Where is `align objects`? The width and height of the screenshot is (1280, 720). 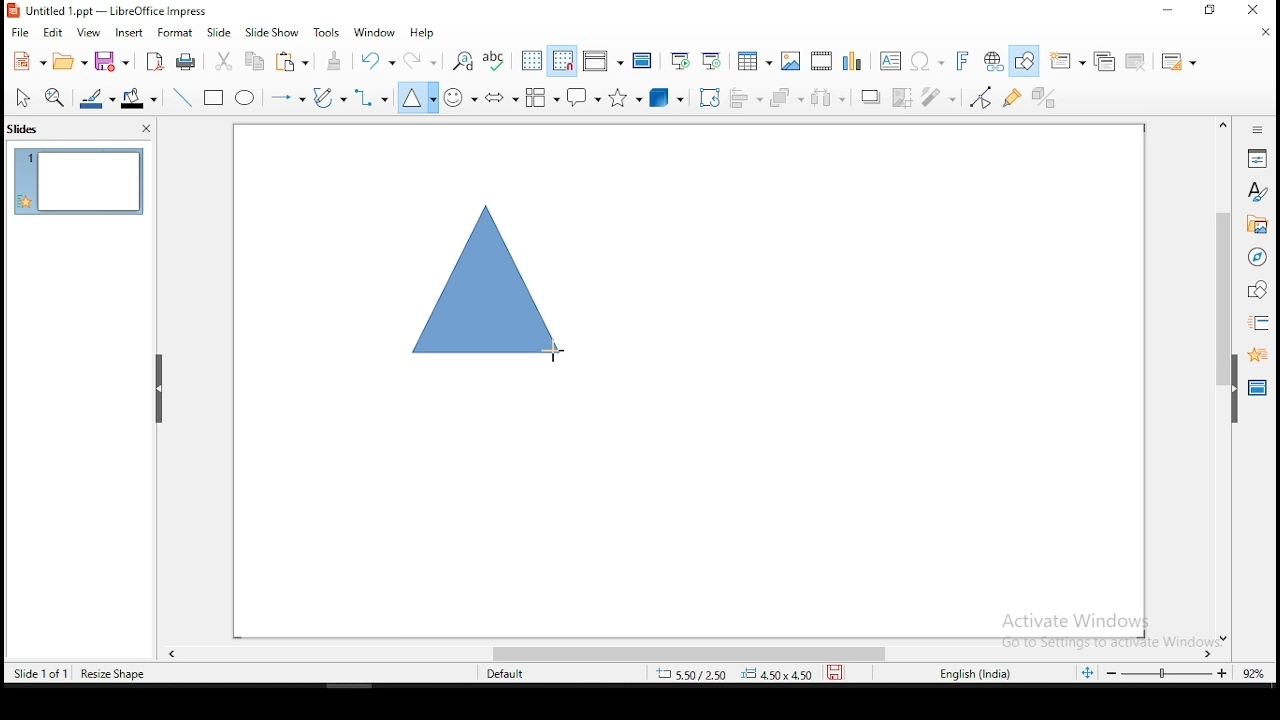 align objects is located at coordinates (745, 99).